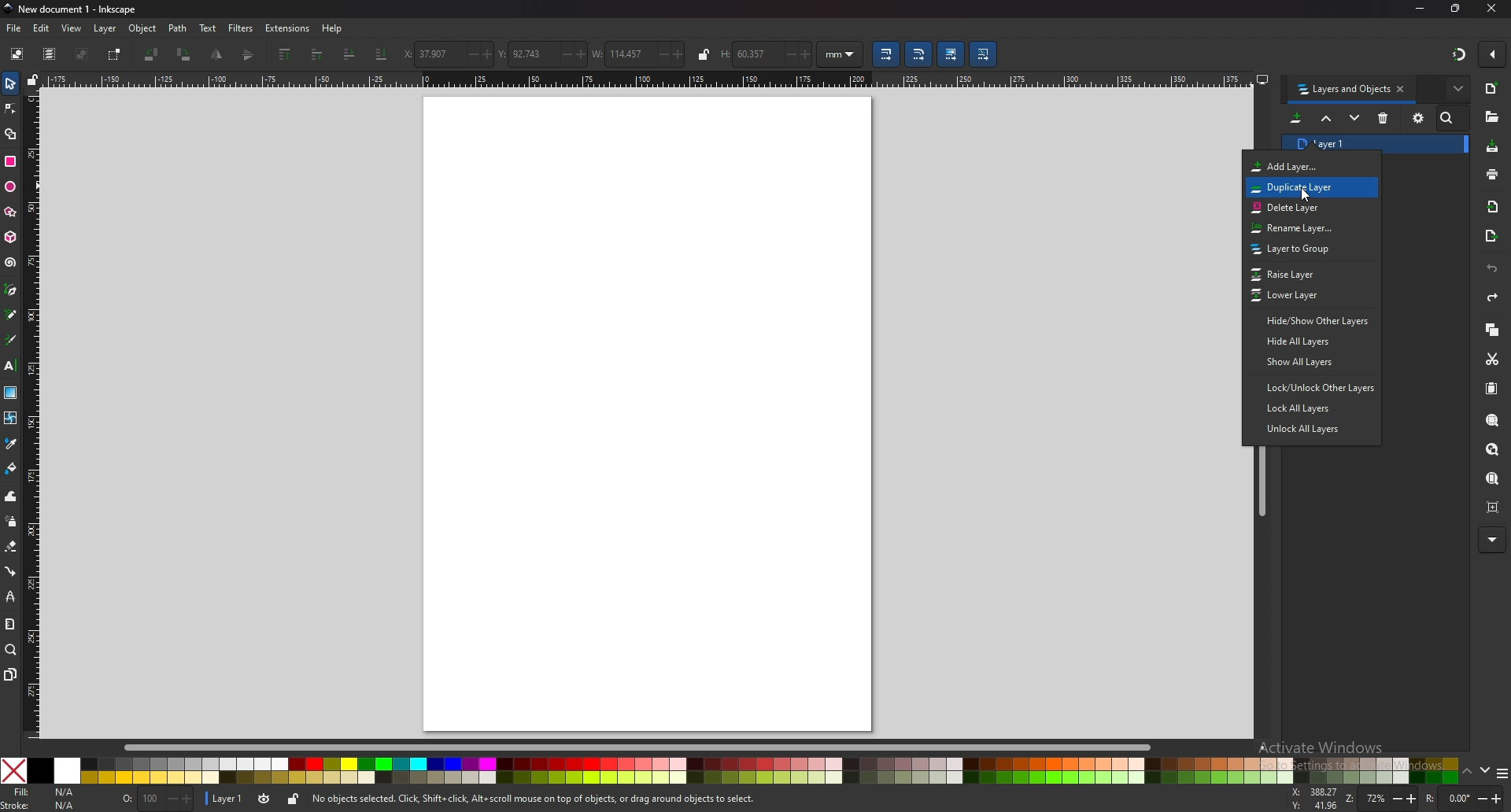  I want to click on object, so click(142, 28).